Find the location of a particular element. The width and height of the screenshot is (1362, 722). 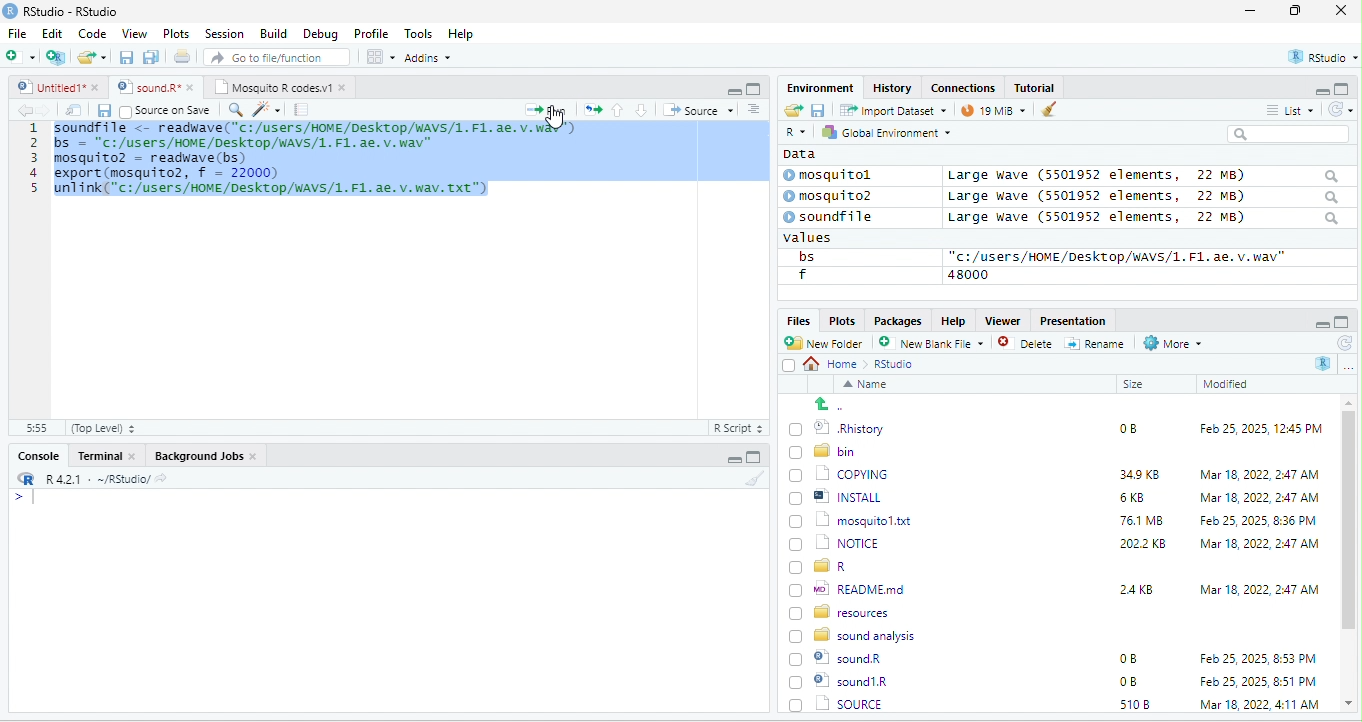

minimize is located at coordinates (1250, 12).